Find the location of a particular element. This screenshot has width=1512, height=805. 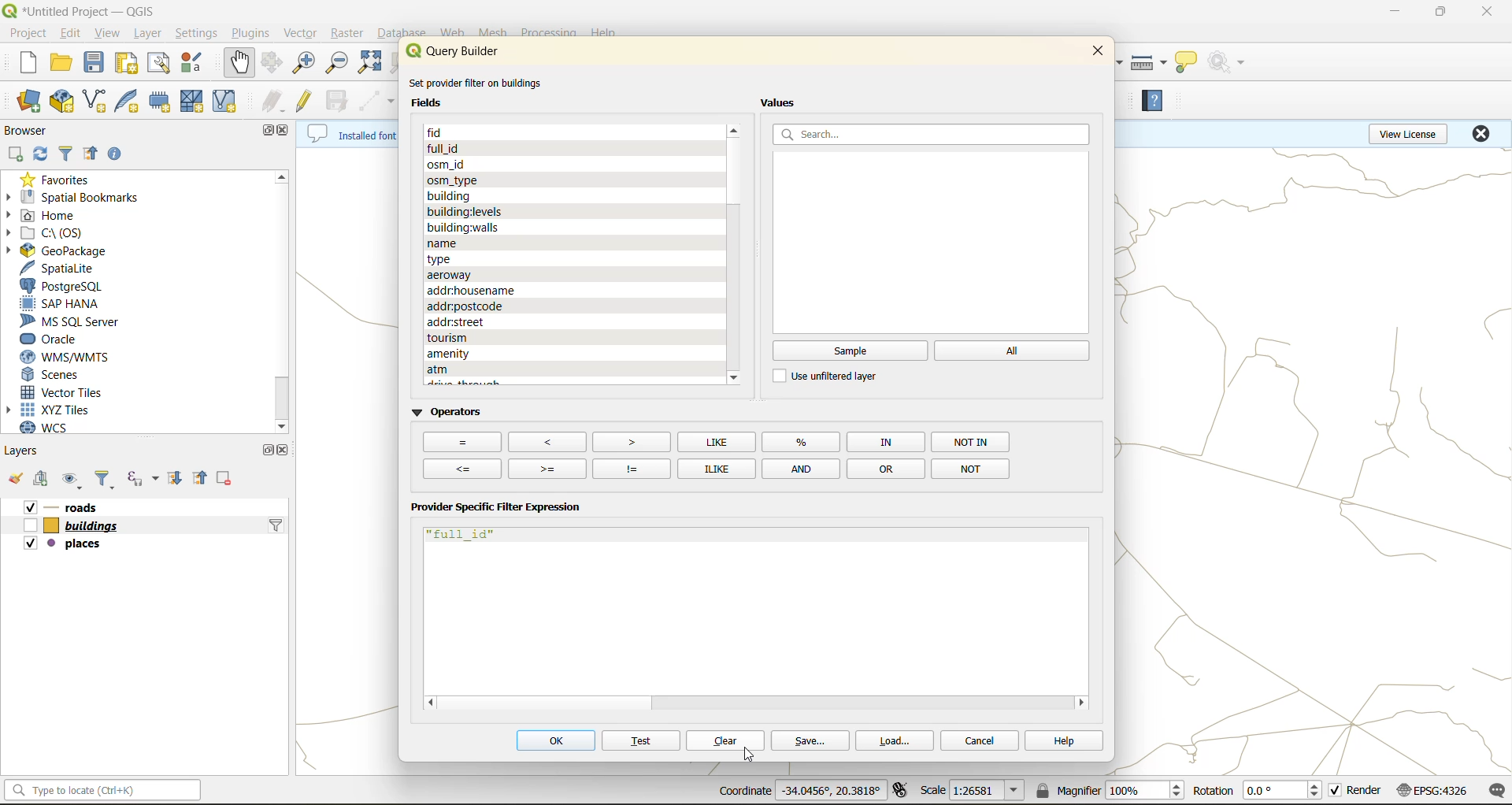

home is located at coordinates (62, 215).